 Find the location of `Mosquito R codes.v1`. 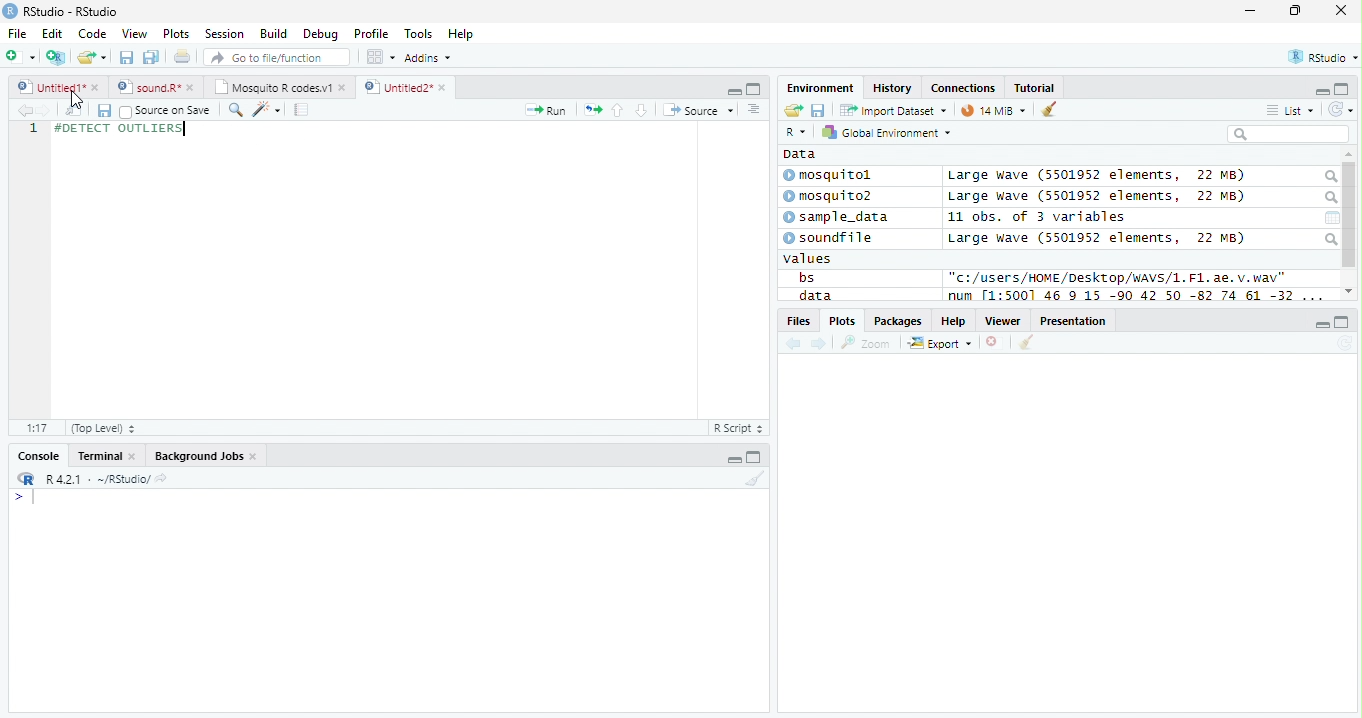

Mosquito R codes.v1 is located at coordinates (277, 86).